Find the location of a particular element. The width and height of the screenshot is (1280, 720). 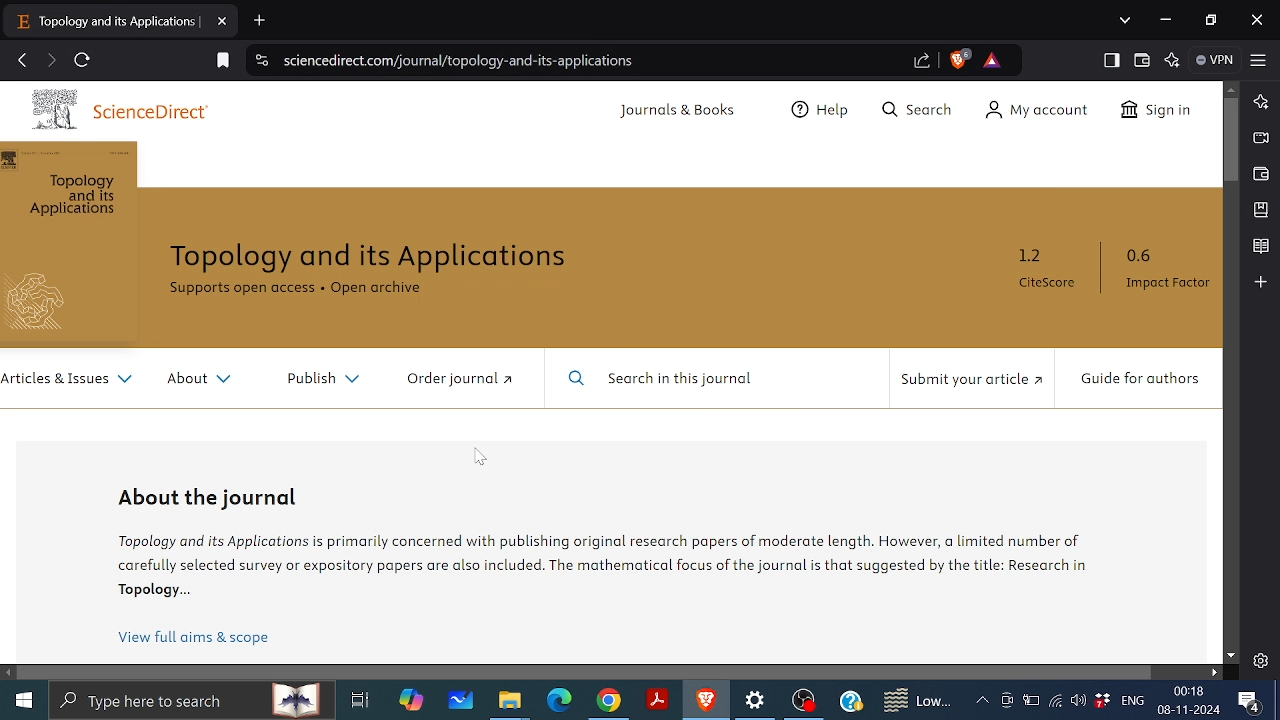

Copilot is located at coordinates (409, 702).